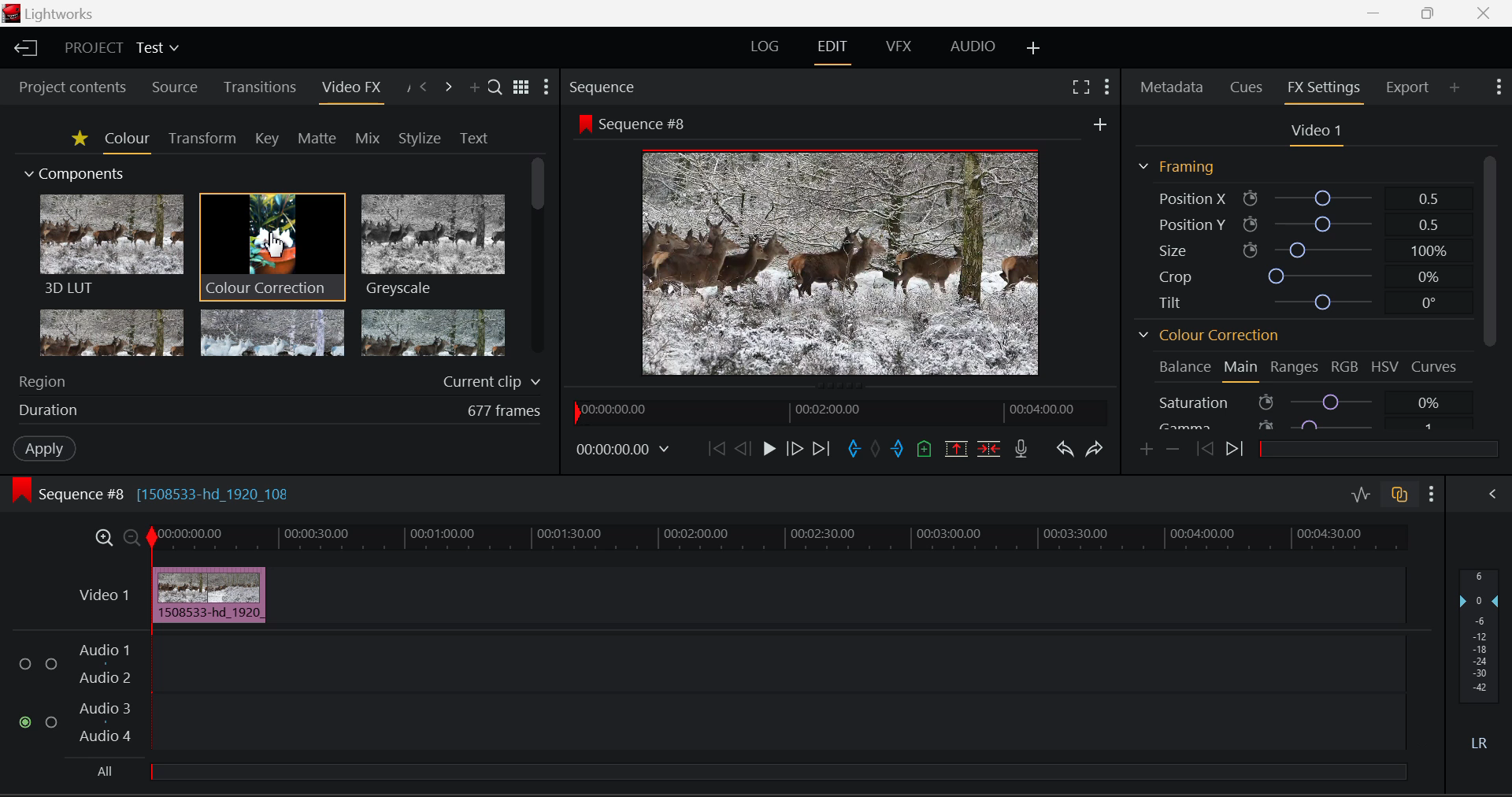 This screenshot has height=797, width=1512. I want to click on Saturation, so click(1298, 400).